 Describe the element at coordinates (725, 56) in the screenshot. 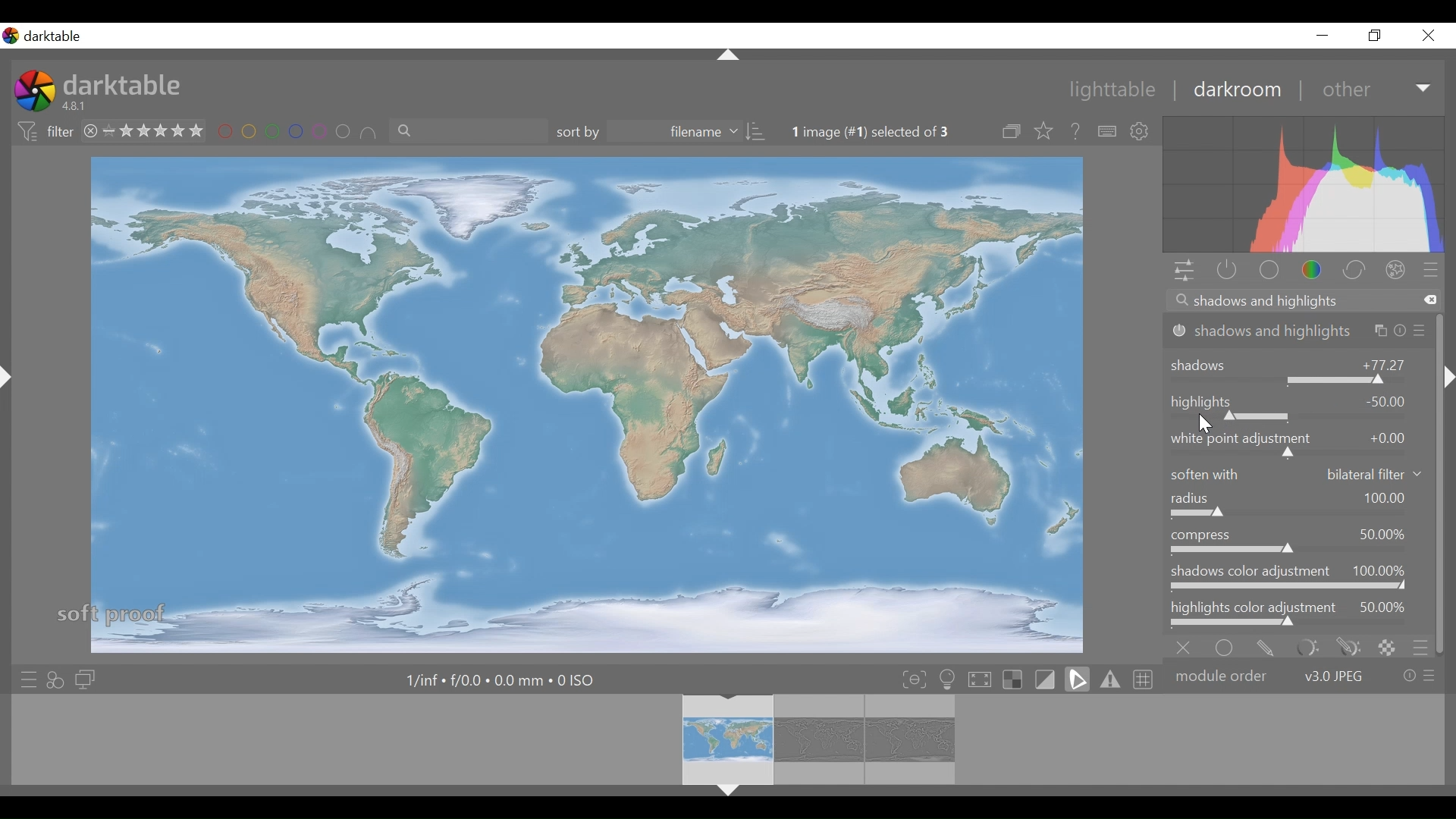

I see `` at that location.